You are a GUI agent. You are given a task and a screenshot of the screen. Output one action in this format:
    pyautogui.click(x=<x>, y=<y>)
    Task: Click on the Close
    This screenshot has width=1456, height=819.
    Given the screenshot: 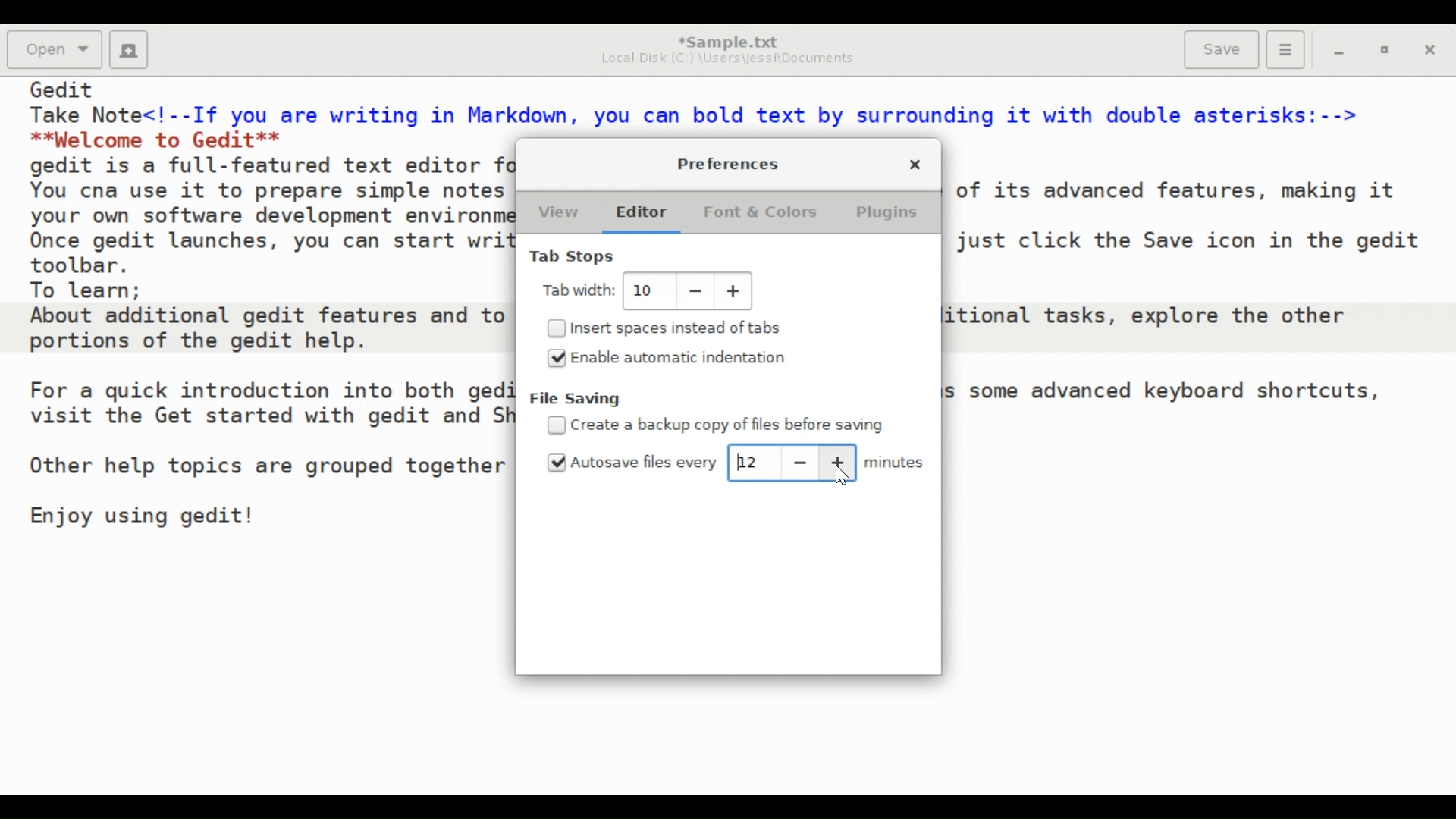 What is the action you would take?
    pyautogui.click(x=1432, y=52)
    